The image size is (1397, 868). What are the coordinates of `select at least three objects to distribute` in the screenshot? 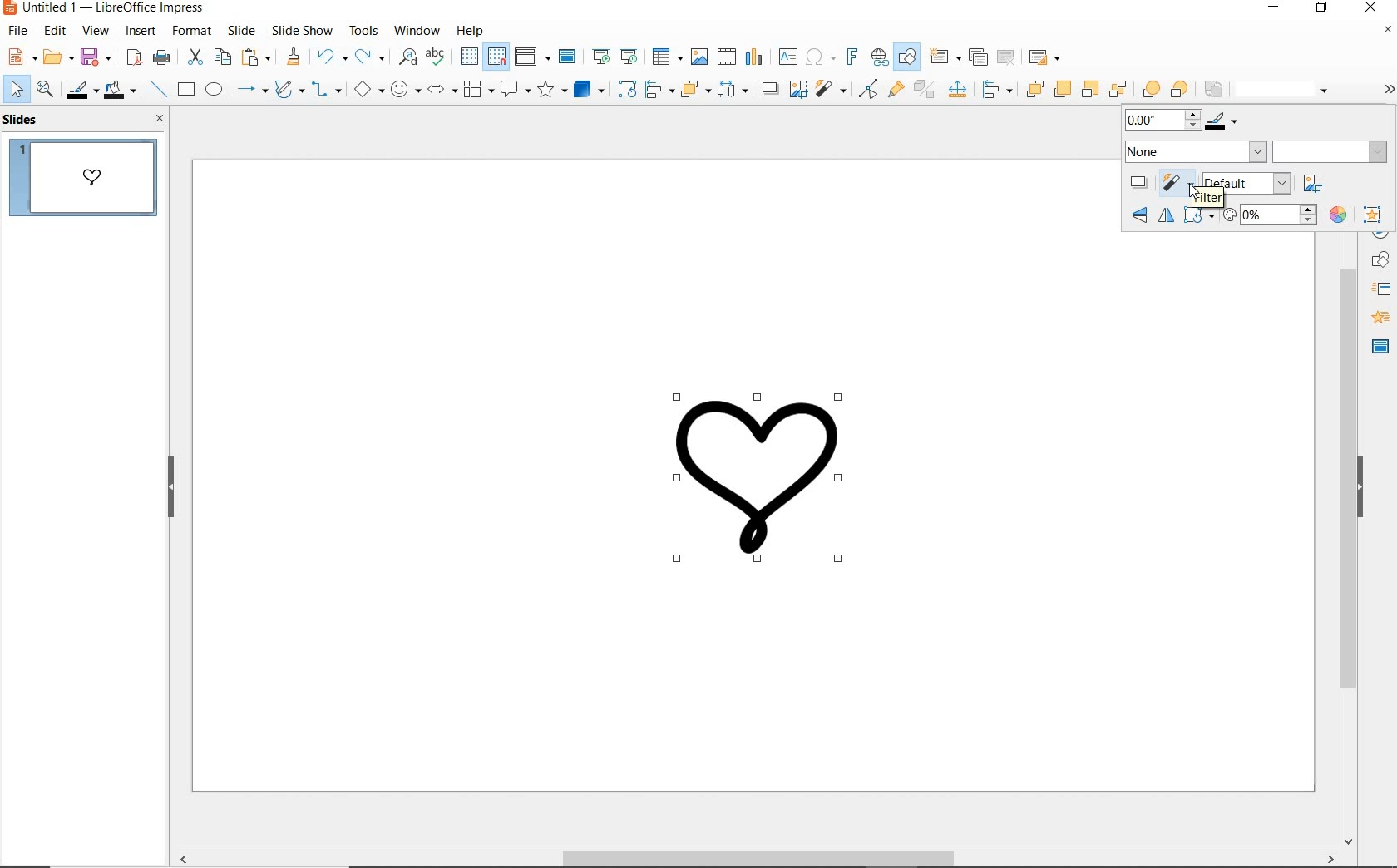 It's located at (733, 91).